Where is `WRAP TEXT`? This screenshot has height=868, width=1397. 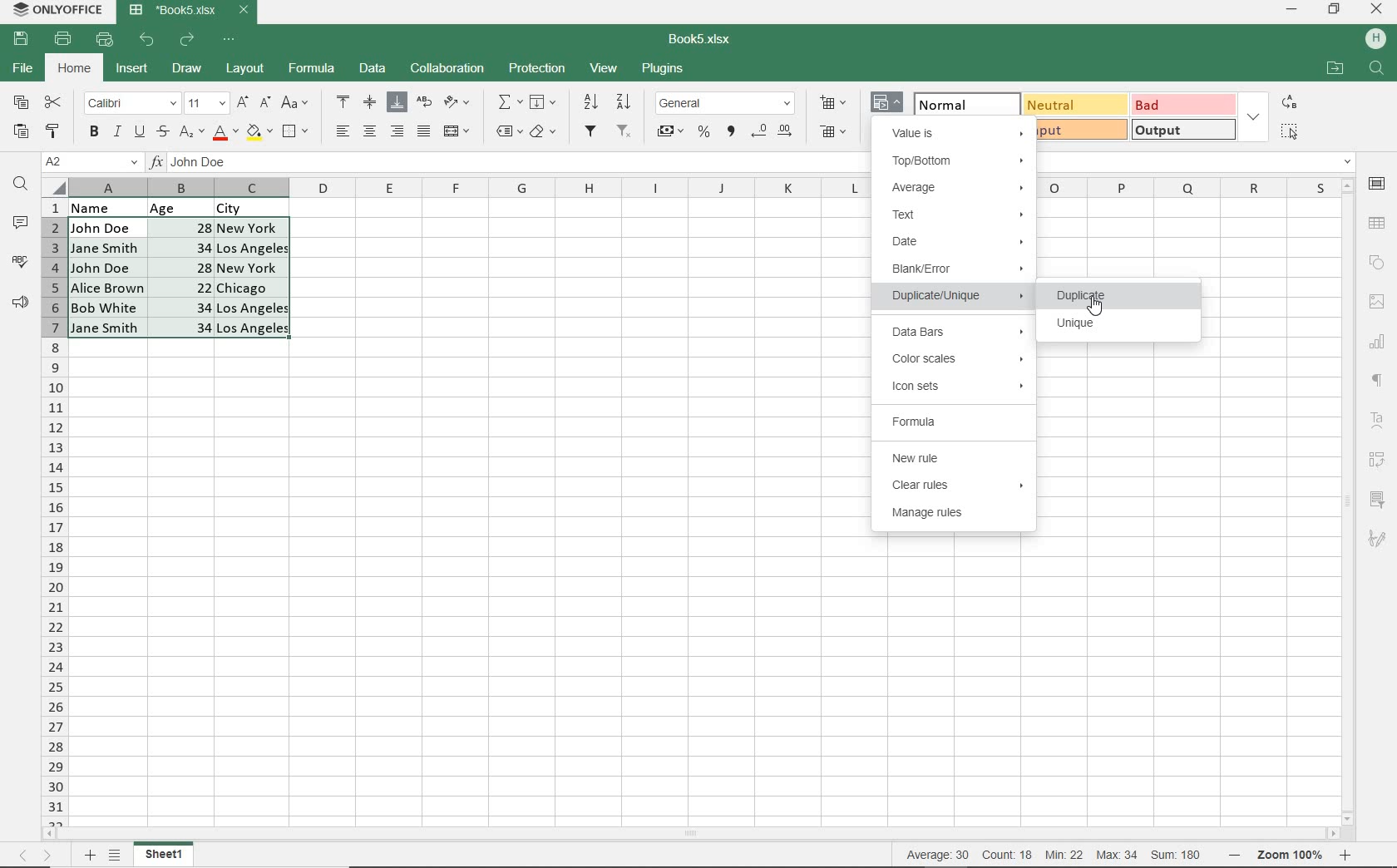
WRAP TEXT is located at coordinates (425, 104).